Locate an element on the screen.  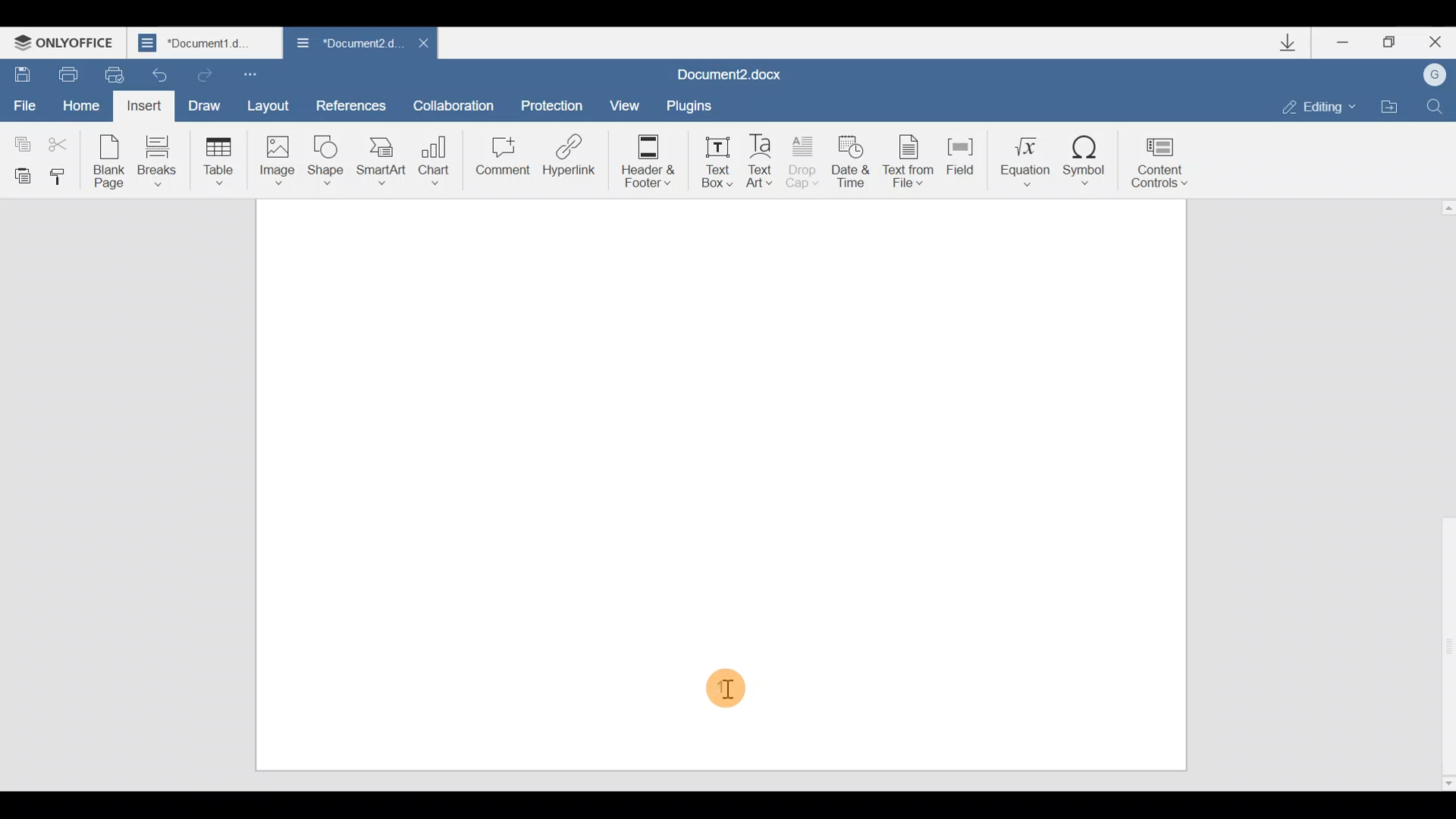
Text from file is located at coordinates (904, 158).